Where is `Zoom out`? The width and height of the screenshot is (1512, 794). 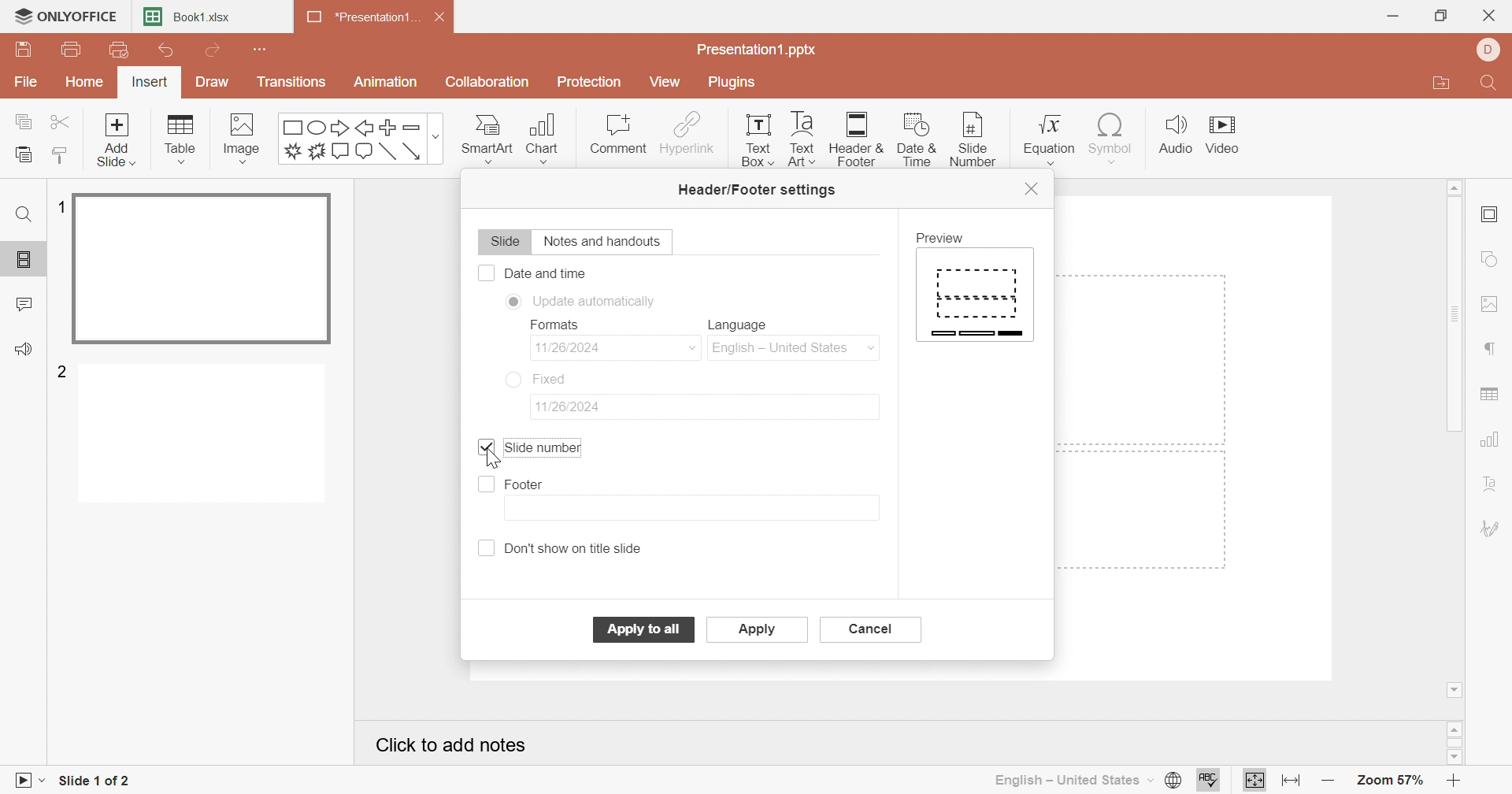 Zoom out is located at coordinates (1329, 784).